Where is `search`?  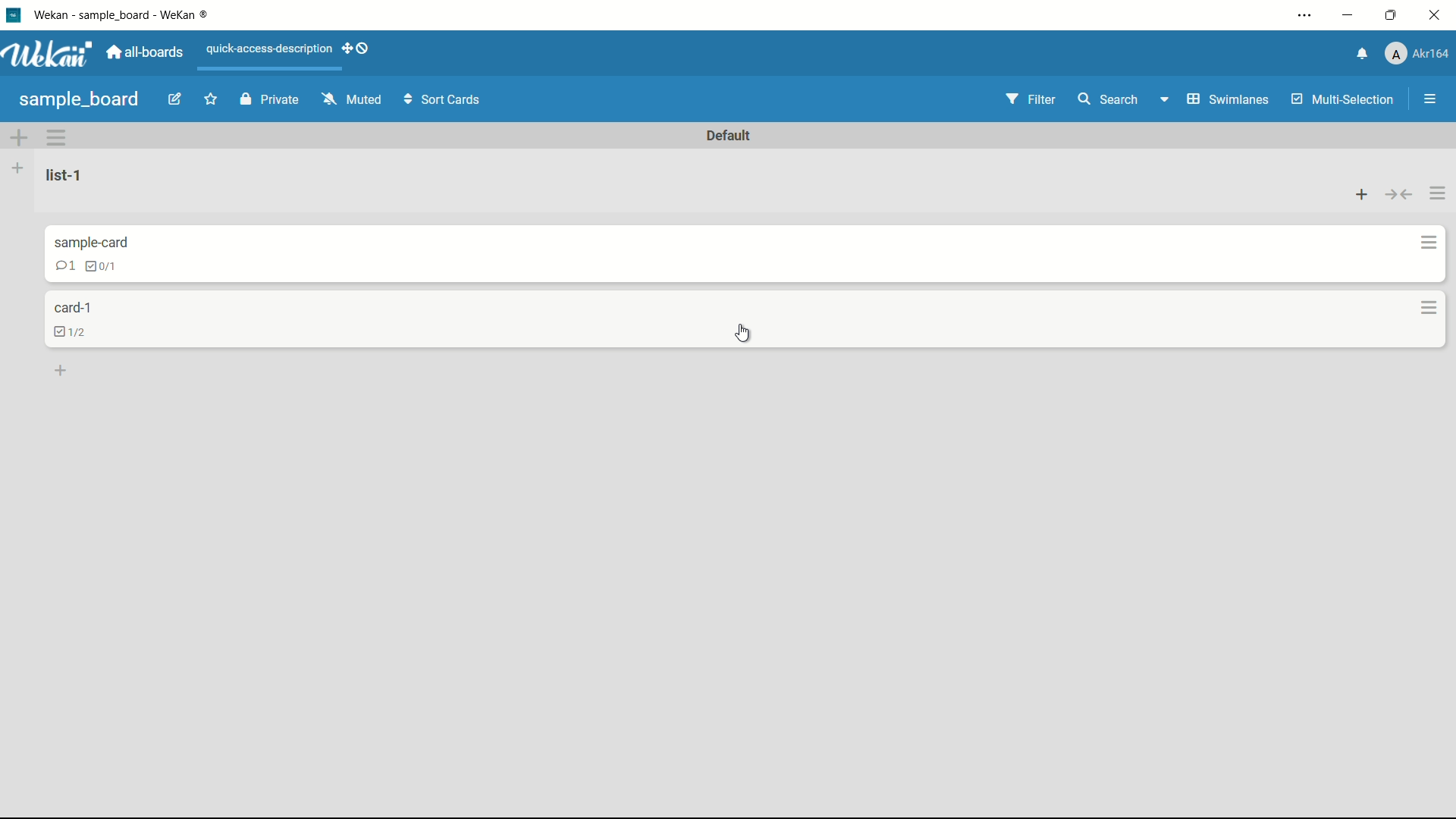 search is located at coordinates (1109, 99).